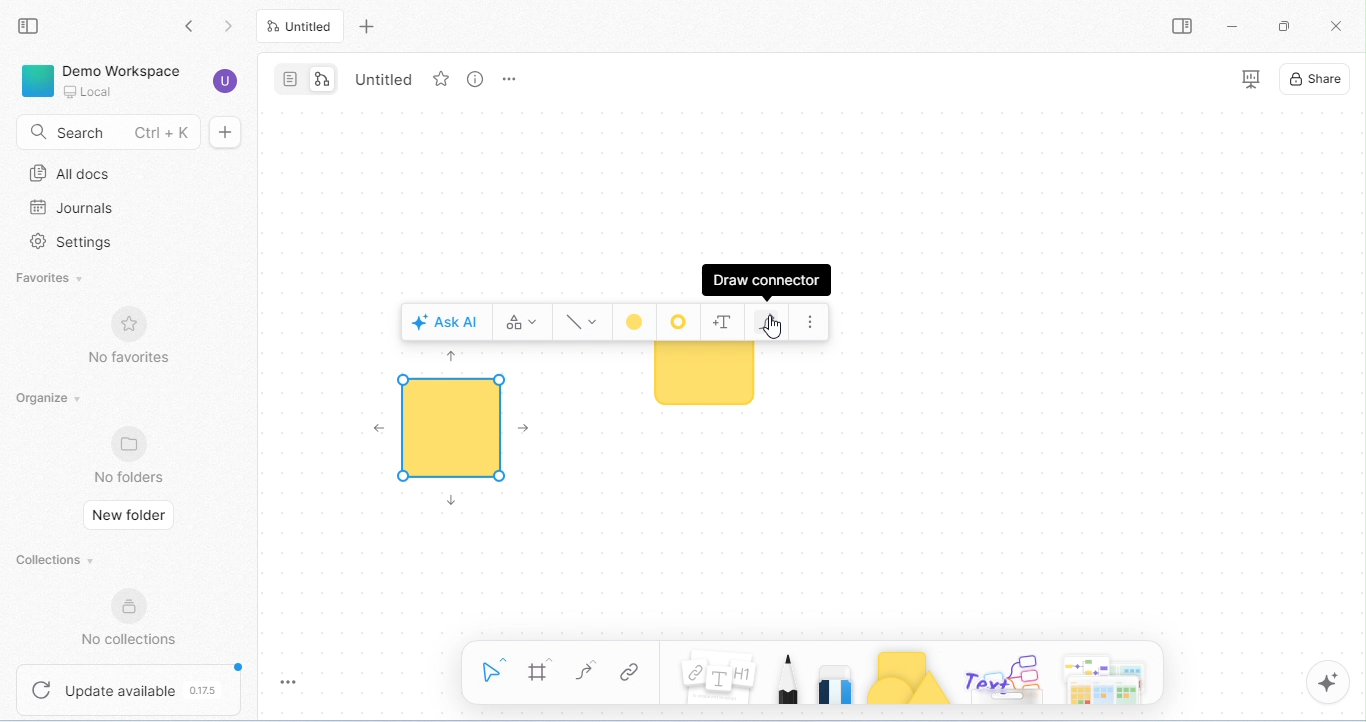 The image size is (1366, 722). What do you see at coordinates (70, 244) in the screenshot?
I see `settings` at bounding box center [70, 244].